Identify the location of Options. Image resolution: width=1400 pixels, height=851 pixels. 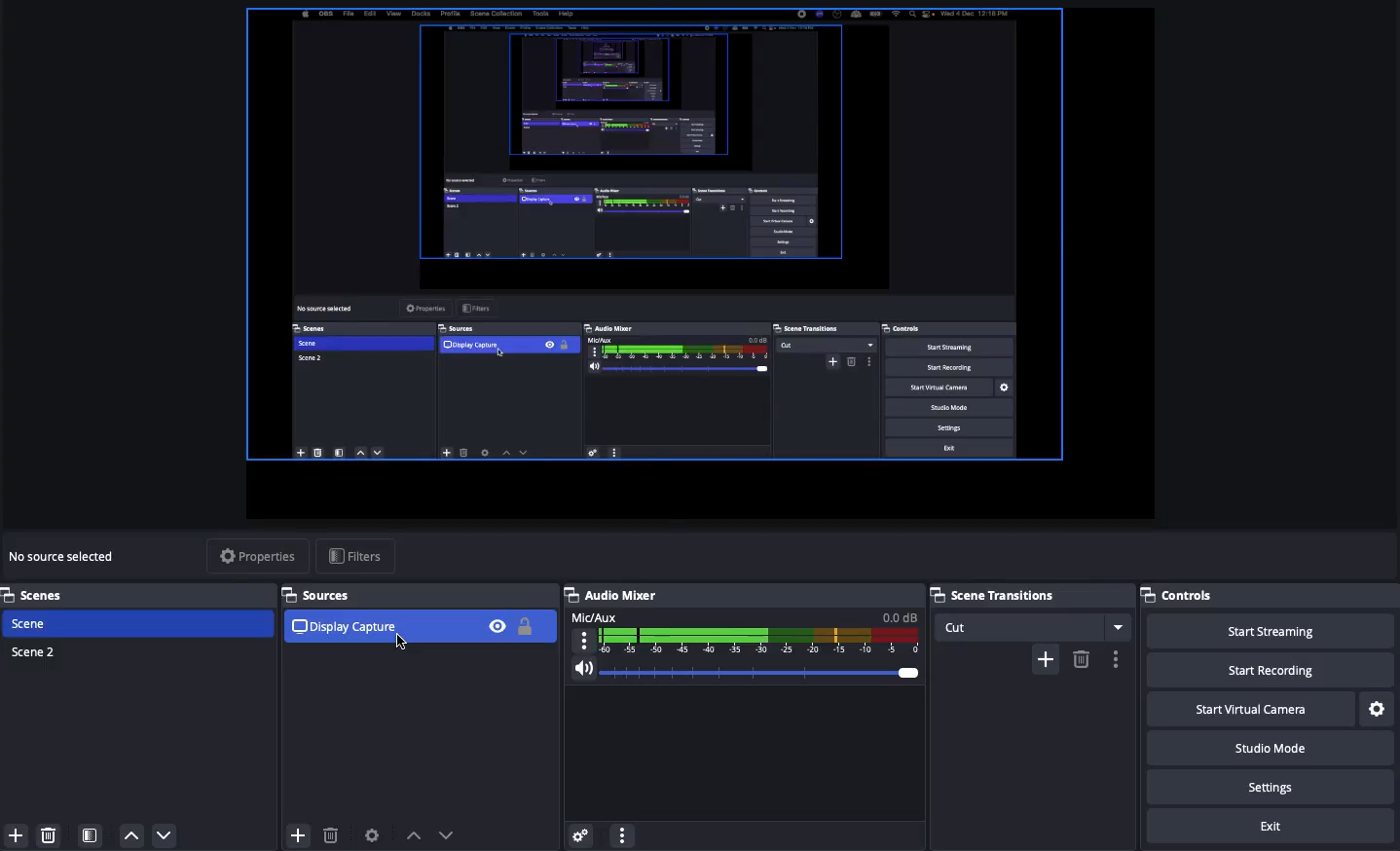
(624, 834).